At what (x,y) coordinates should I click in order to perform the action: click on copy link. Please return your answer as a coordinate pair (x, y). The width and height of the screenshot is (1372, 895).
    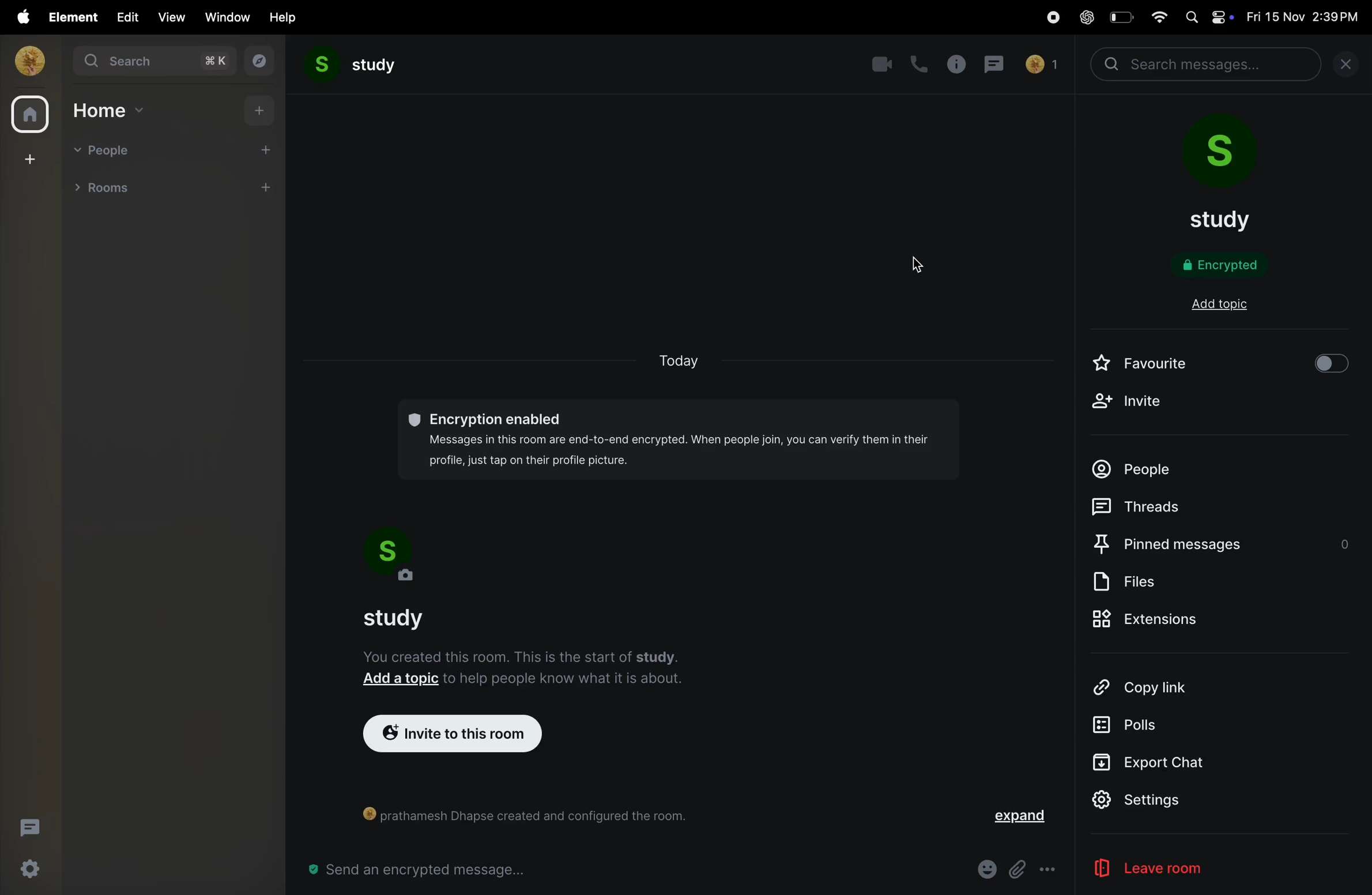
    Looking at the image, I should click on (1160, 687).